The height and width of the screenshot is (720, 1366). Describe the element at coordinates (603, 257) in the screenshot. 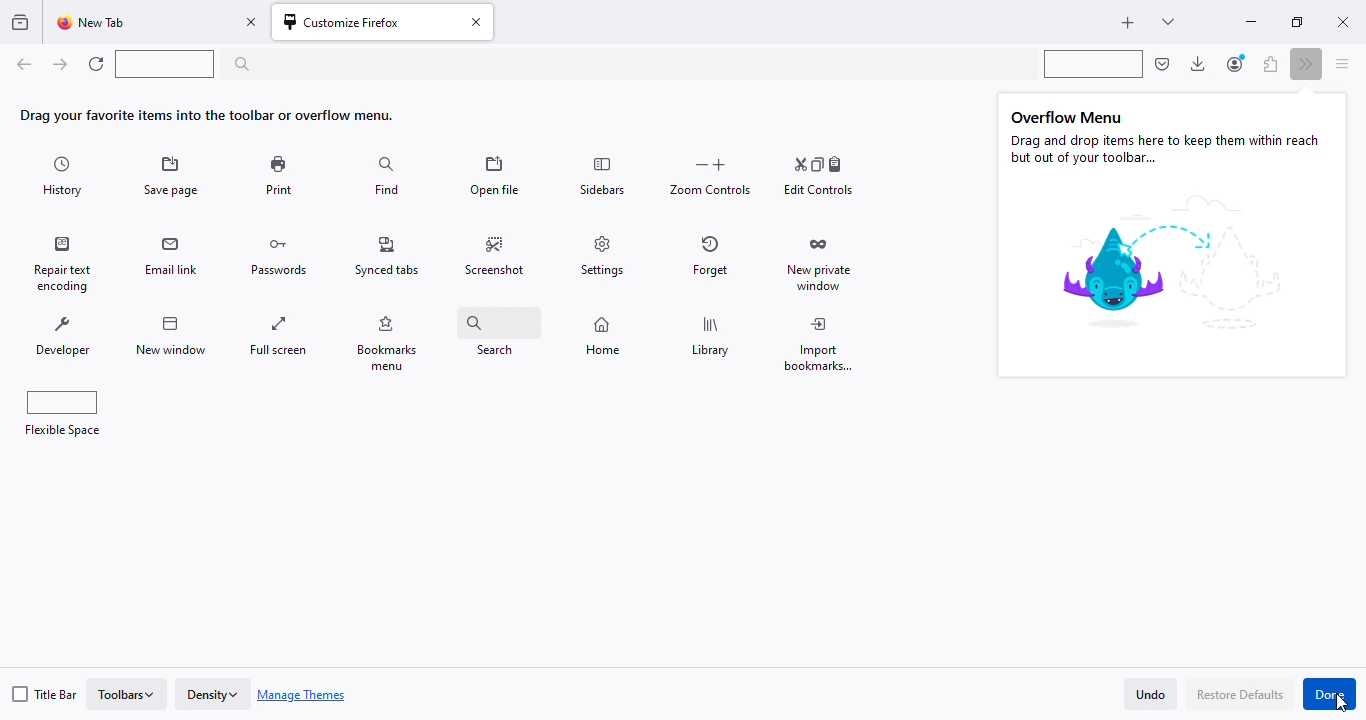

I see `settings` at that location.